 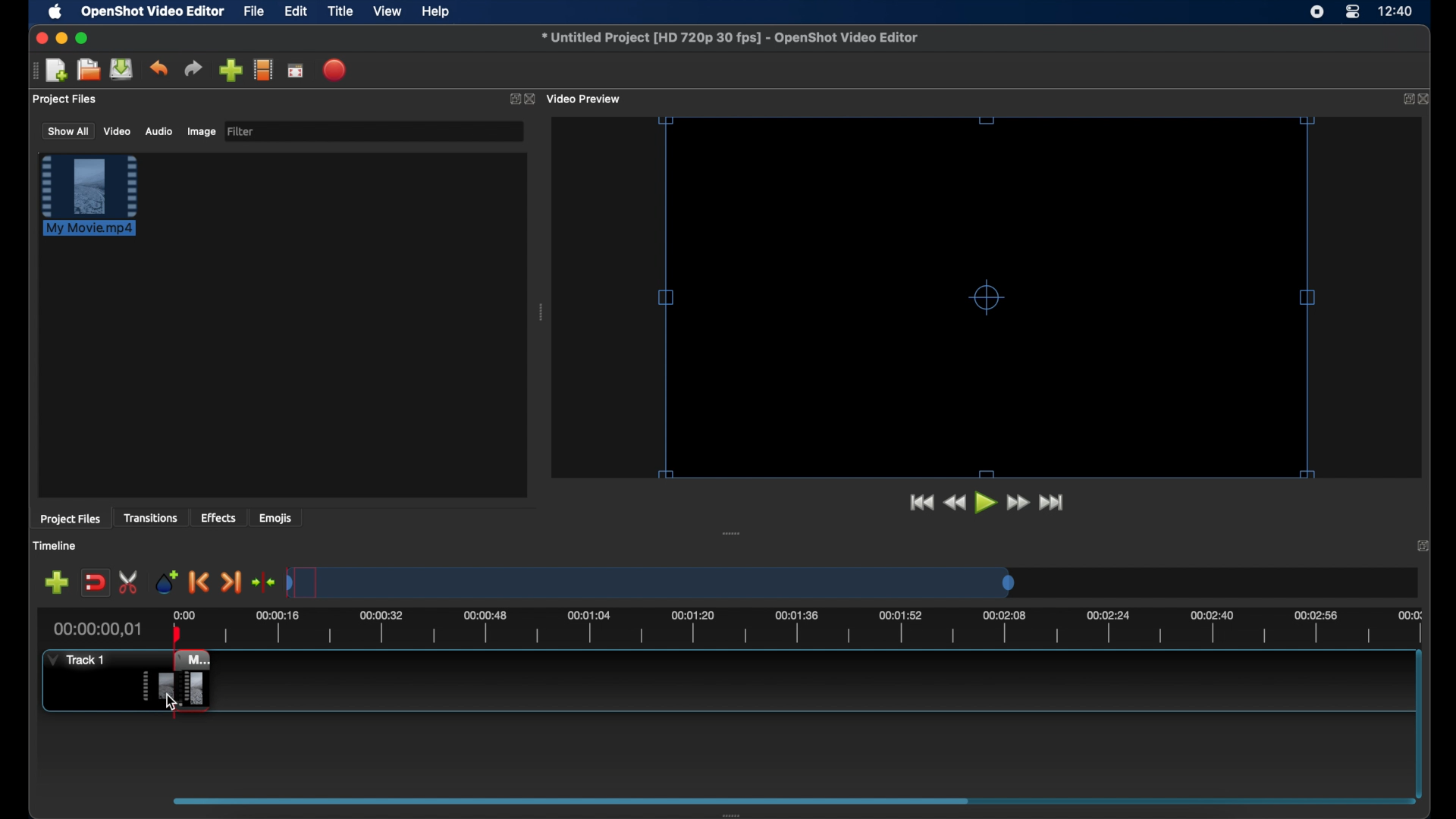 I want to click on jump to start, so click(x=1053, y=502).